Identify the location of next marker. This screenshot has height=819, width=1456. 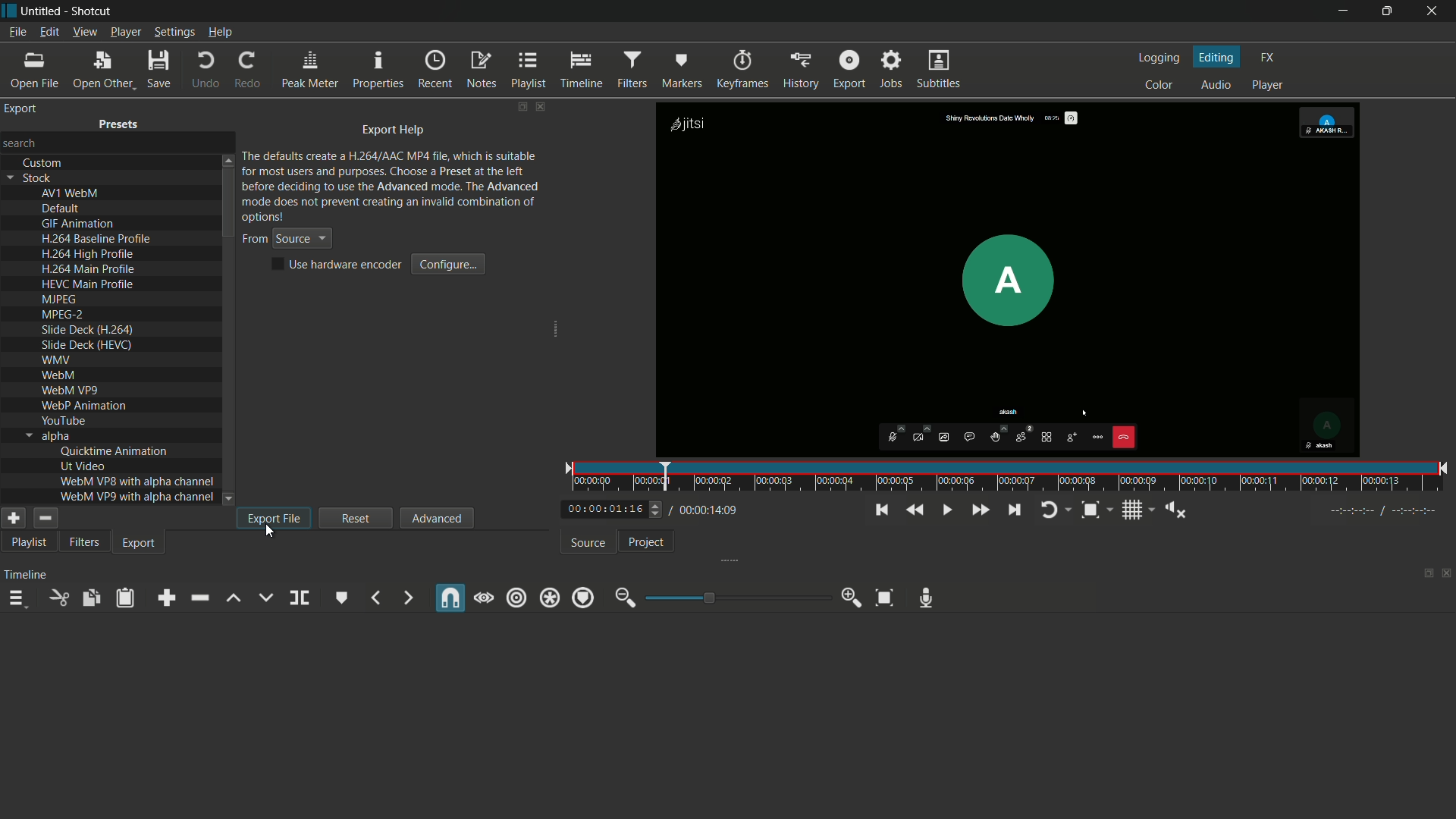
(406, 598).